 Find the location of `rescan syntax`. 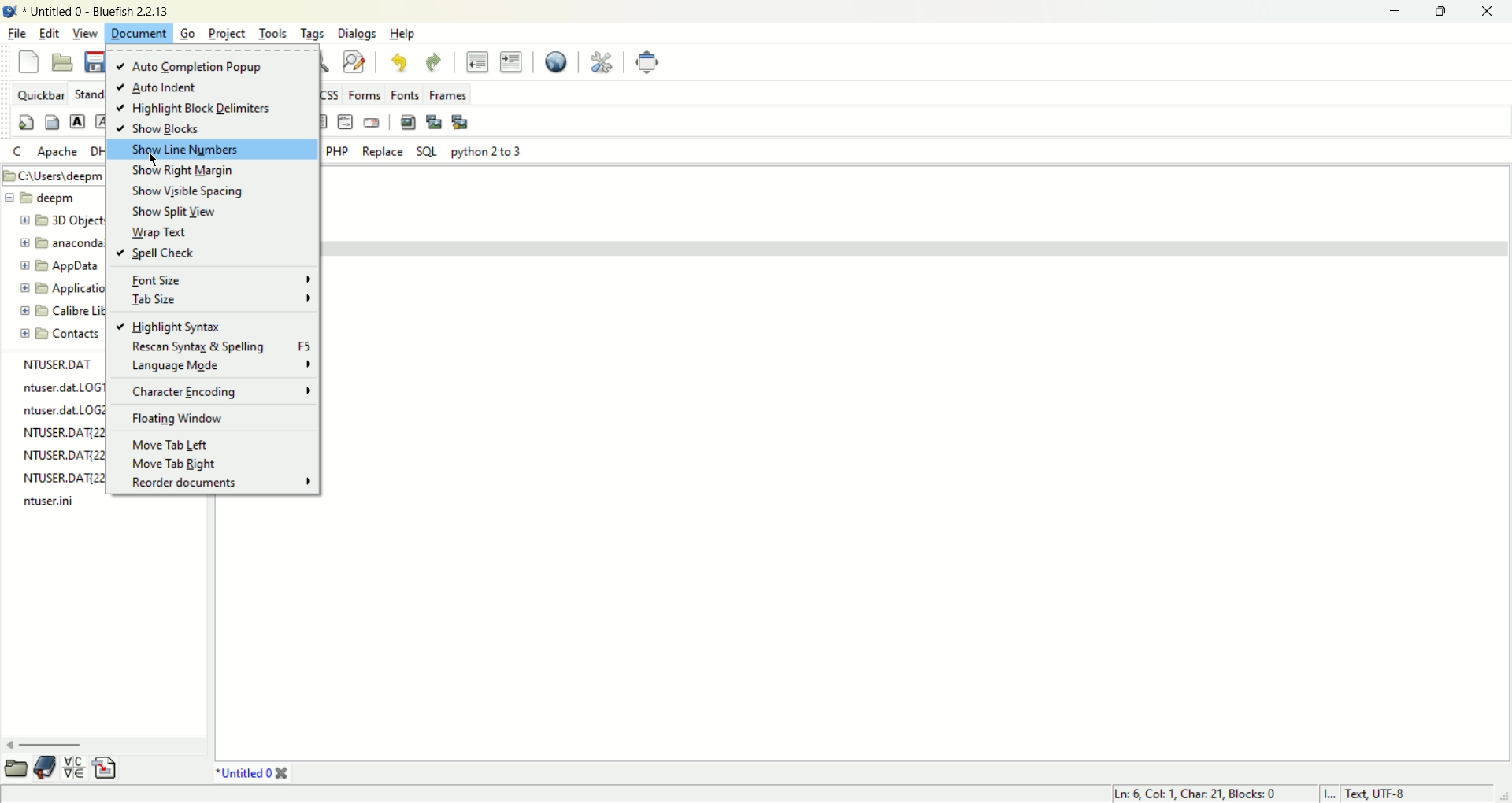

rescan syntax is located at coordinates (222, 346).